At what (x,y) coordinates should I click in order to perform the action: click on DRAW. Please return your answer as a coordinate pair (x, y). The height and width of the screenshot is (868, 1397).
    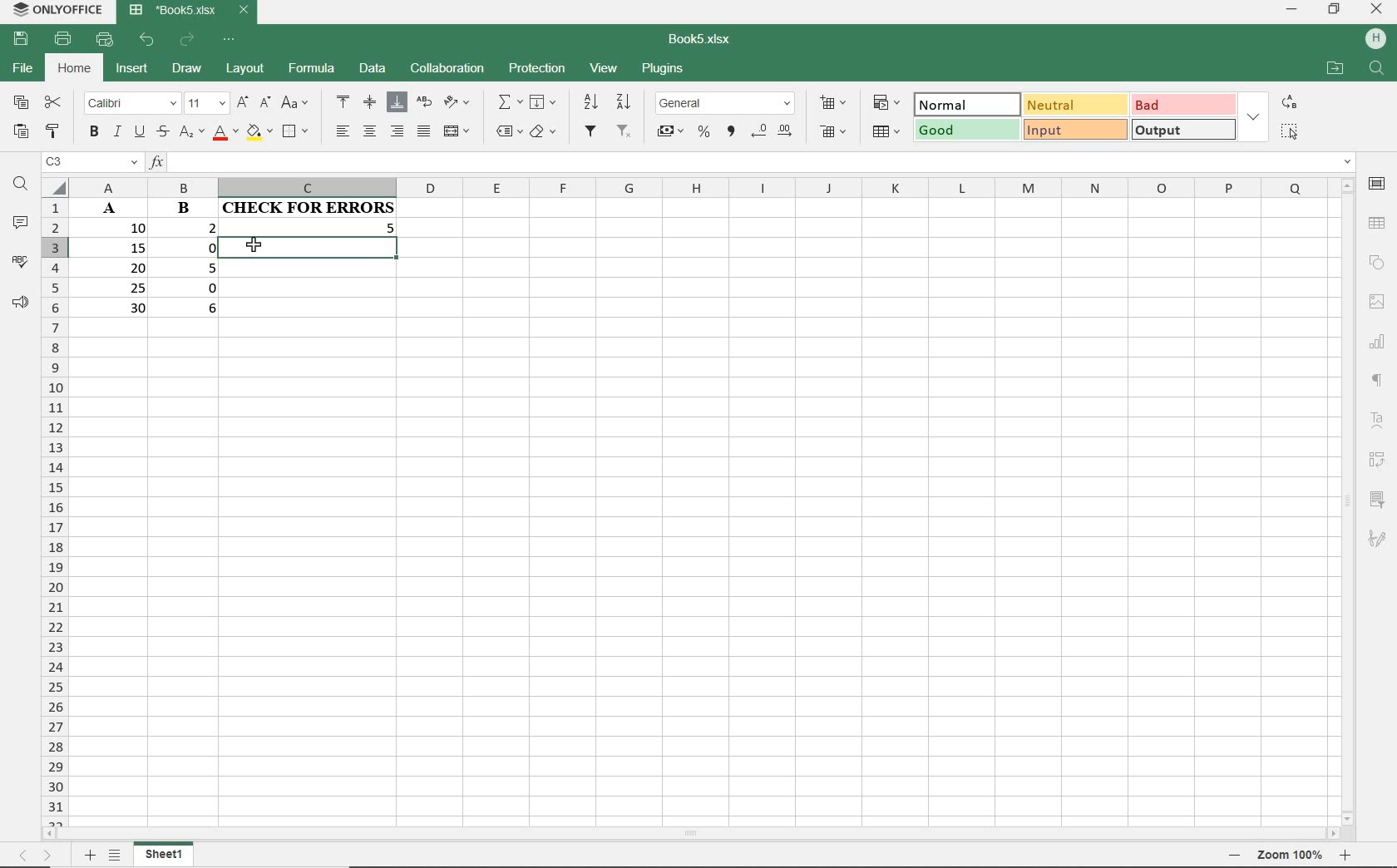
    Looking at the image, I should click on (188, 71).